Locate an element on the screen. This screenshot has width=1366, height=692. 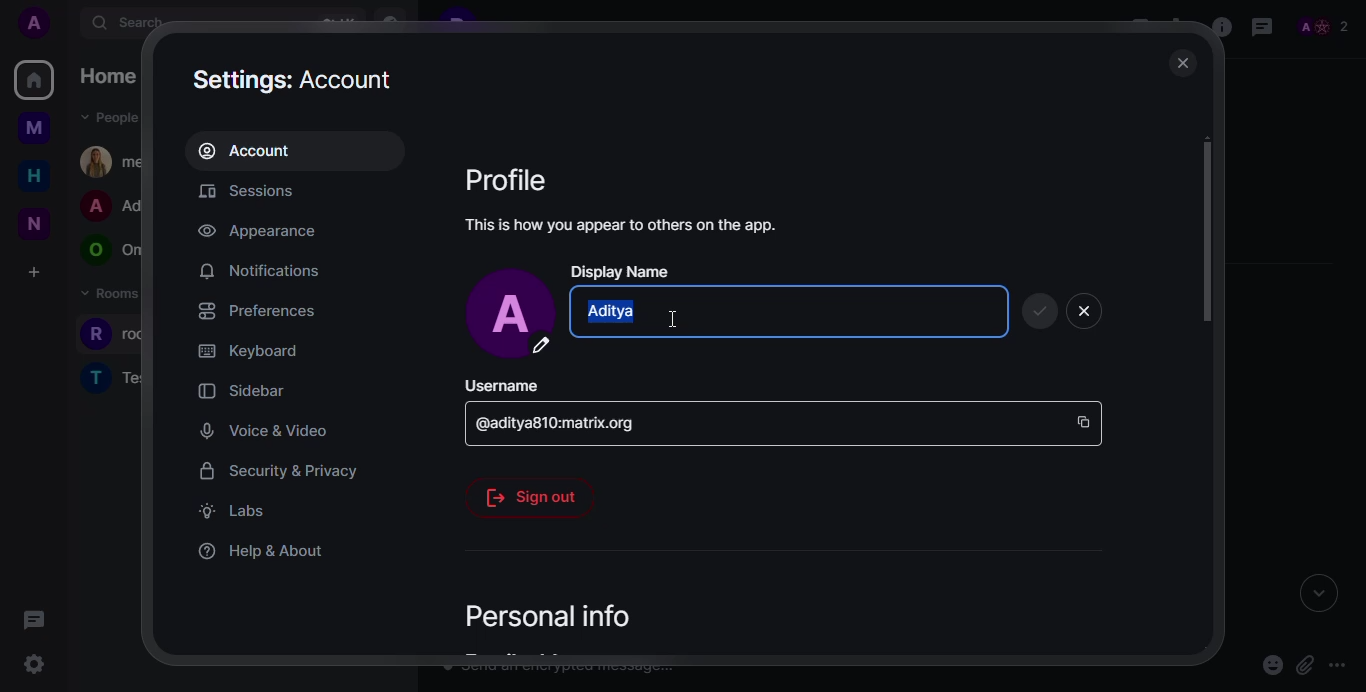
search is located at coordinates (127, 23).